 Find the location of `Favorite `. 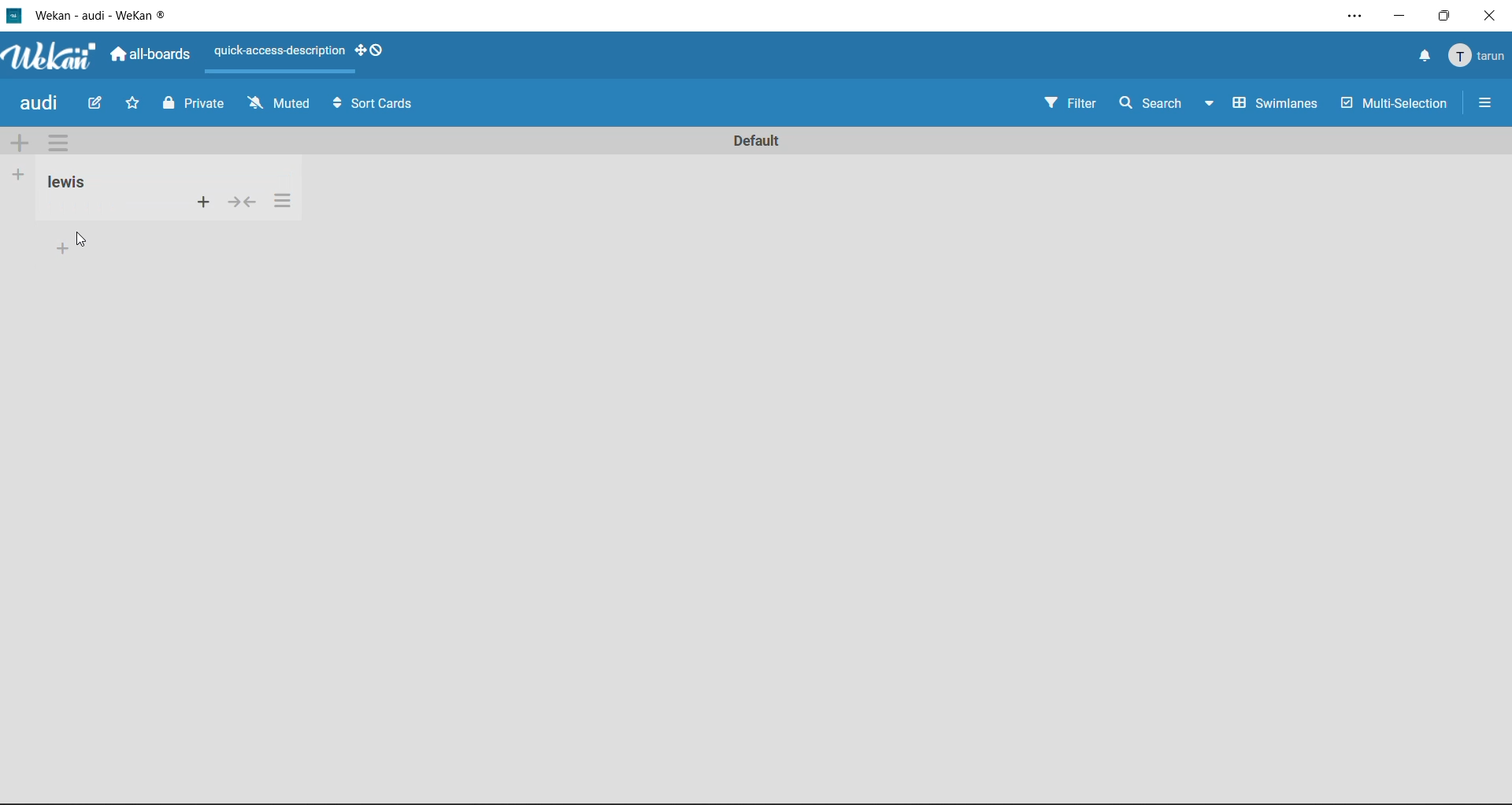

Favorite  is located at coordinates (133, 103).